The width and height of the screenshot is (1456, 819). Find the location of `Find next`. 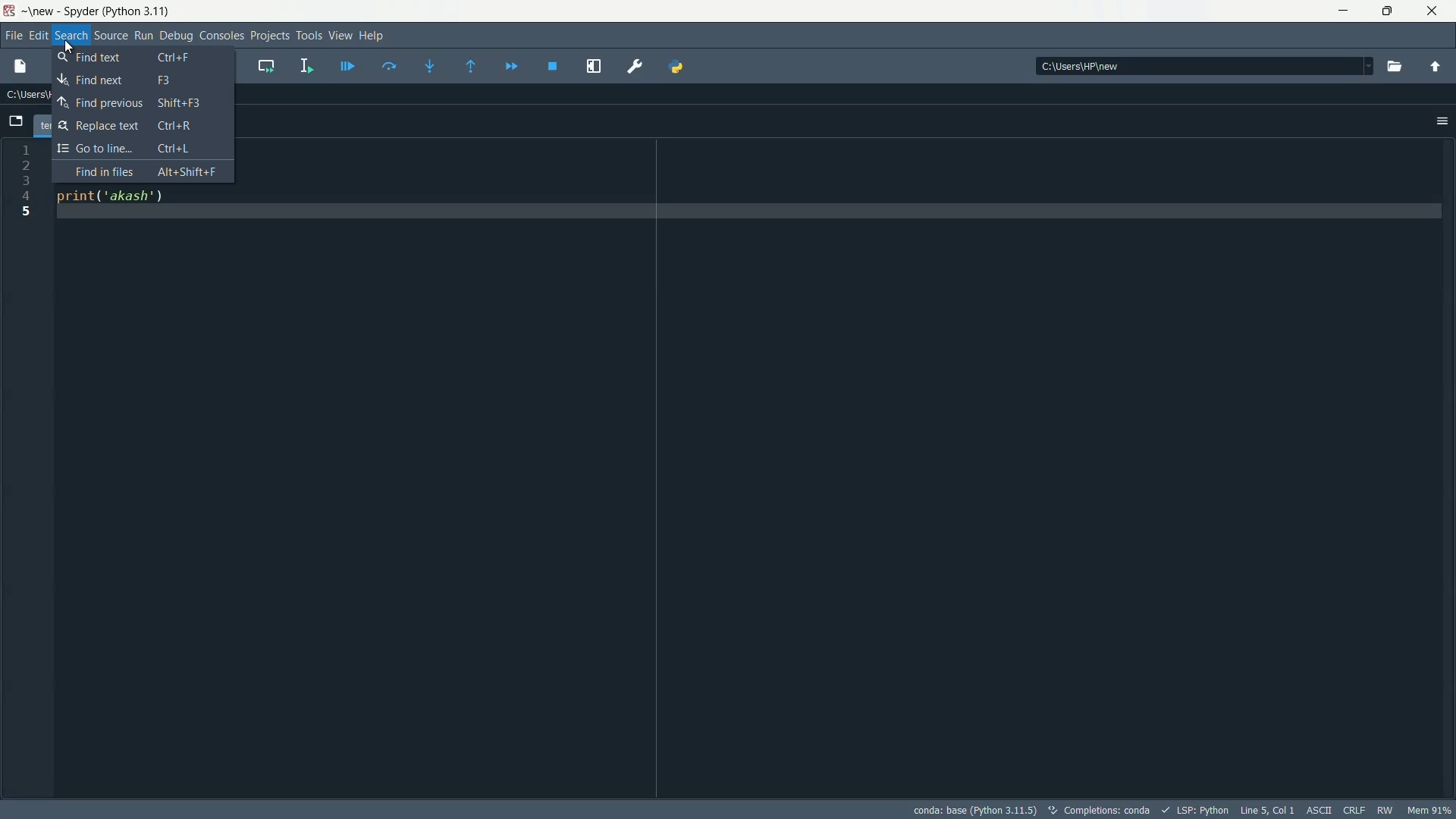

Find next is located at coordinates (142, 78).